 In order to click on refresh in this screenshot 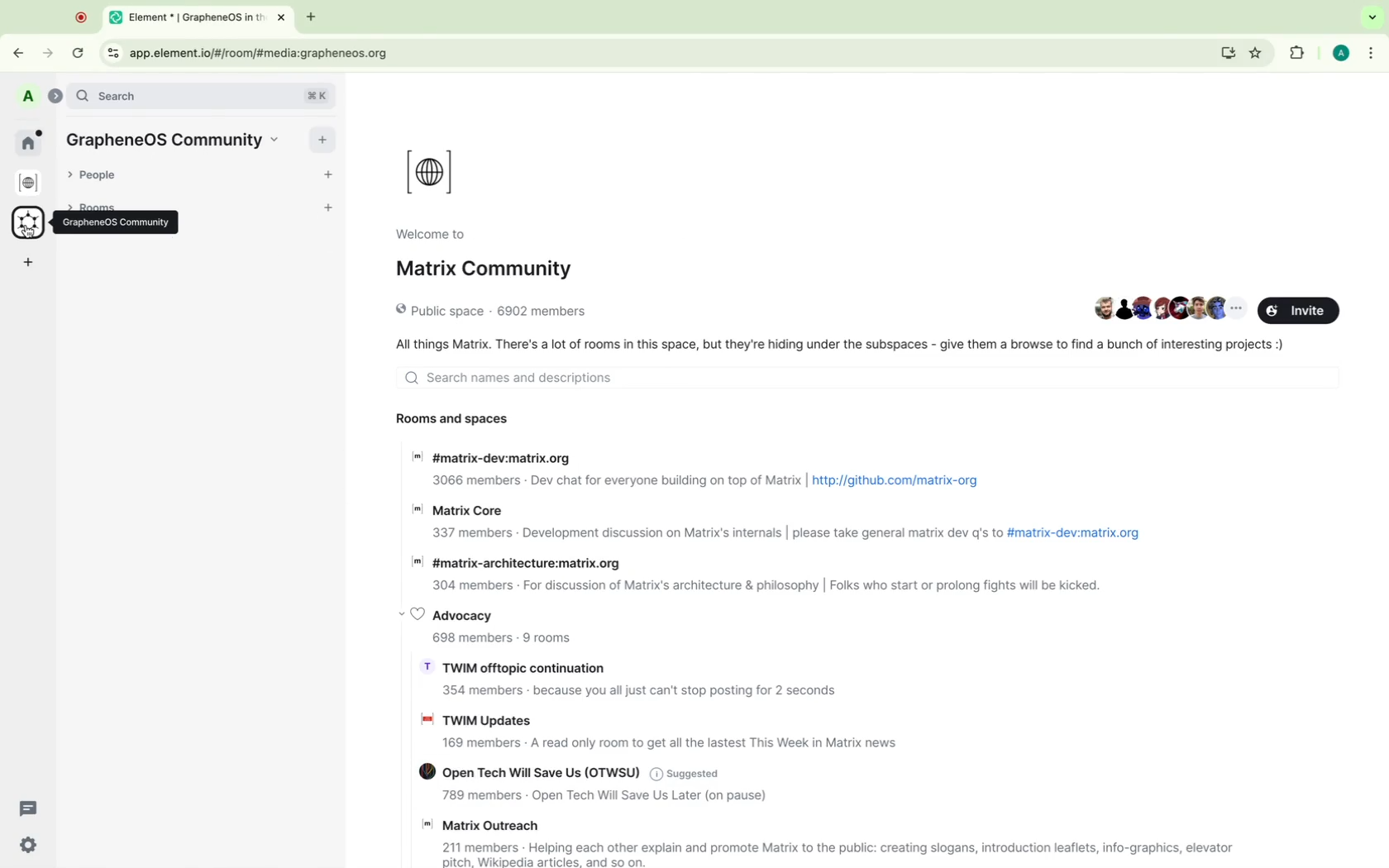, I will do `click(79, 53)`.